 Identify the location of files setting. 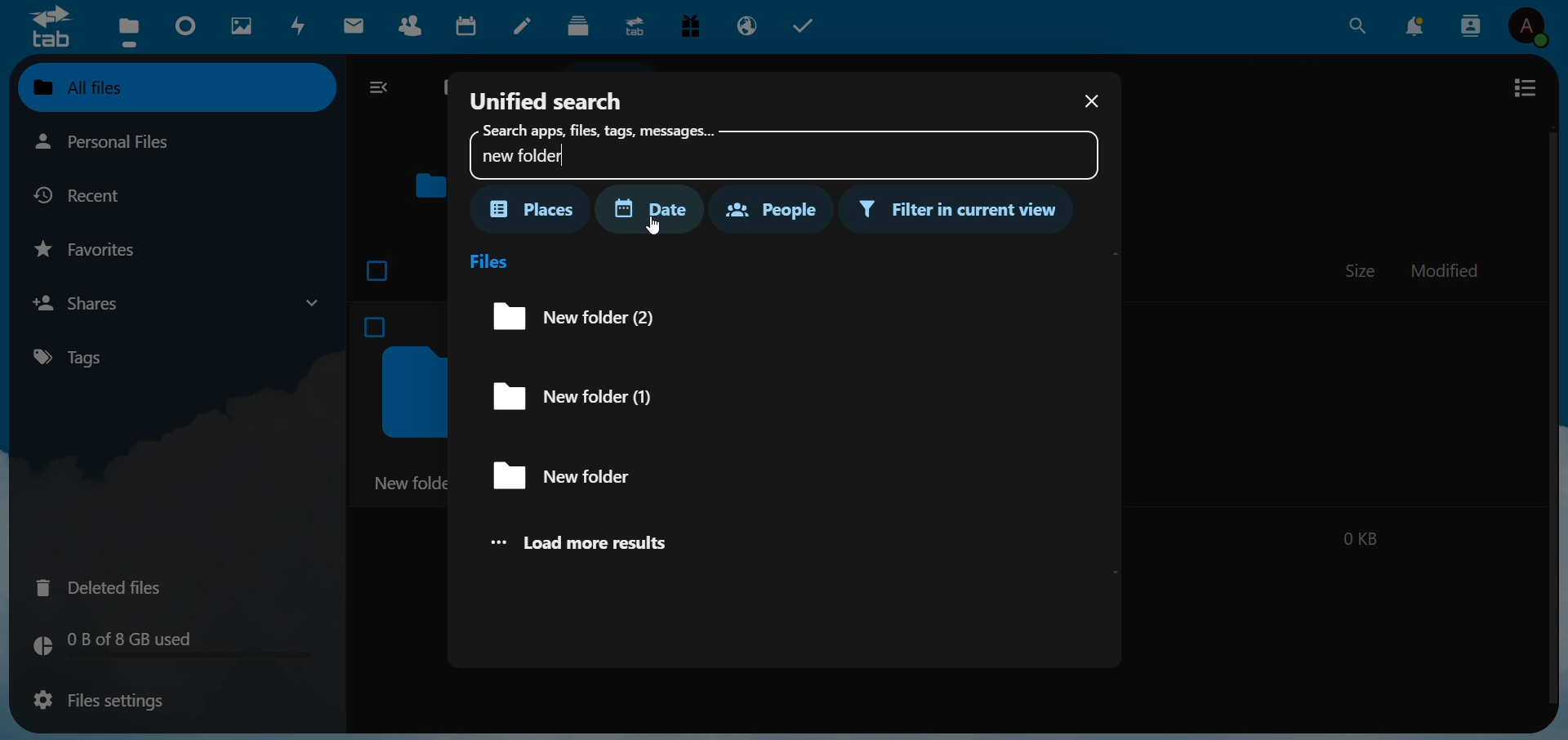
(95, 702).